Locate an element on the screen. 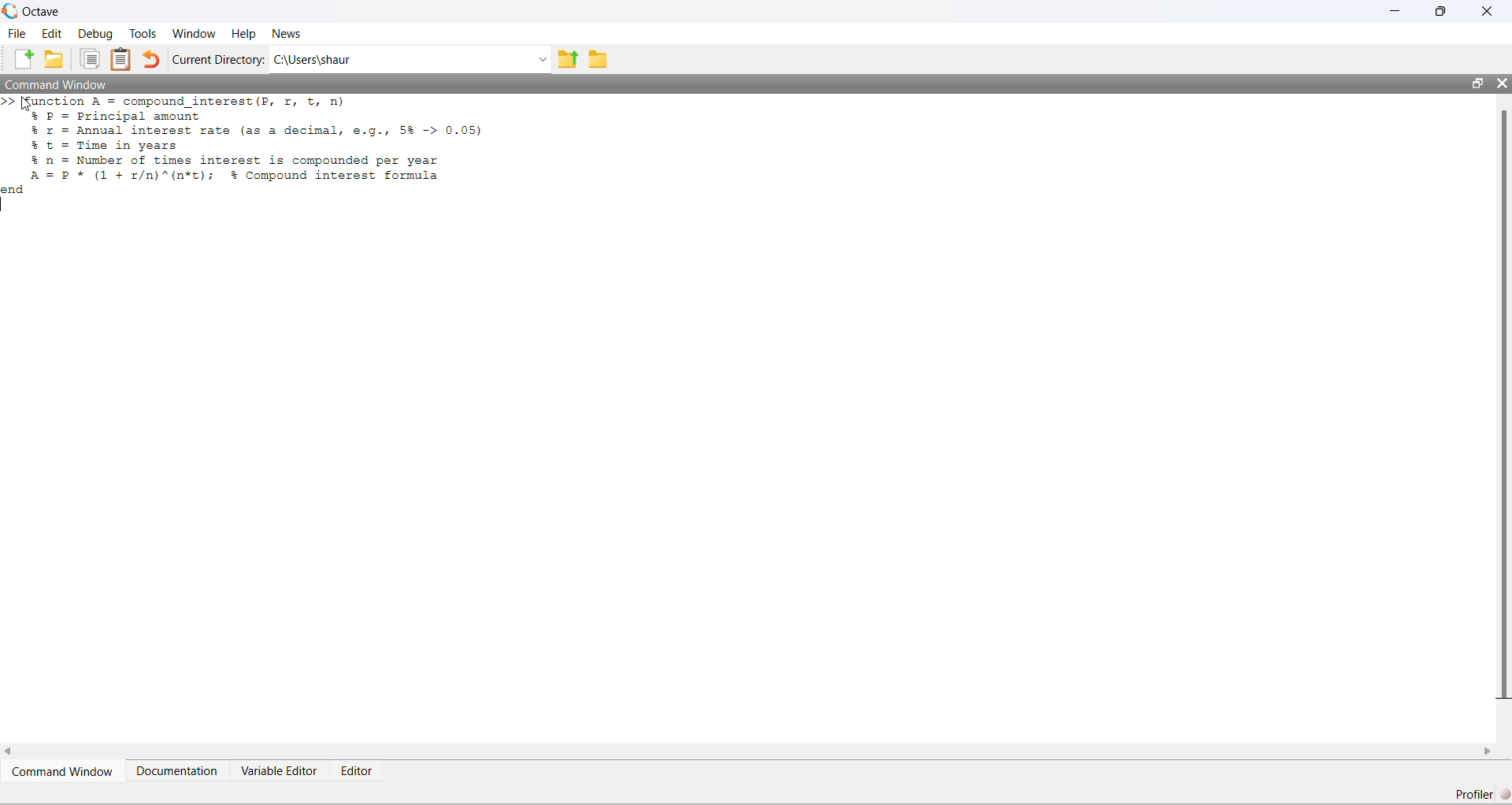 The image size is (1512, 805). News is located at coordinates (287, 33).